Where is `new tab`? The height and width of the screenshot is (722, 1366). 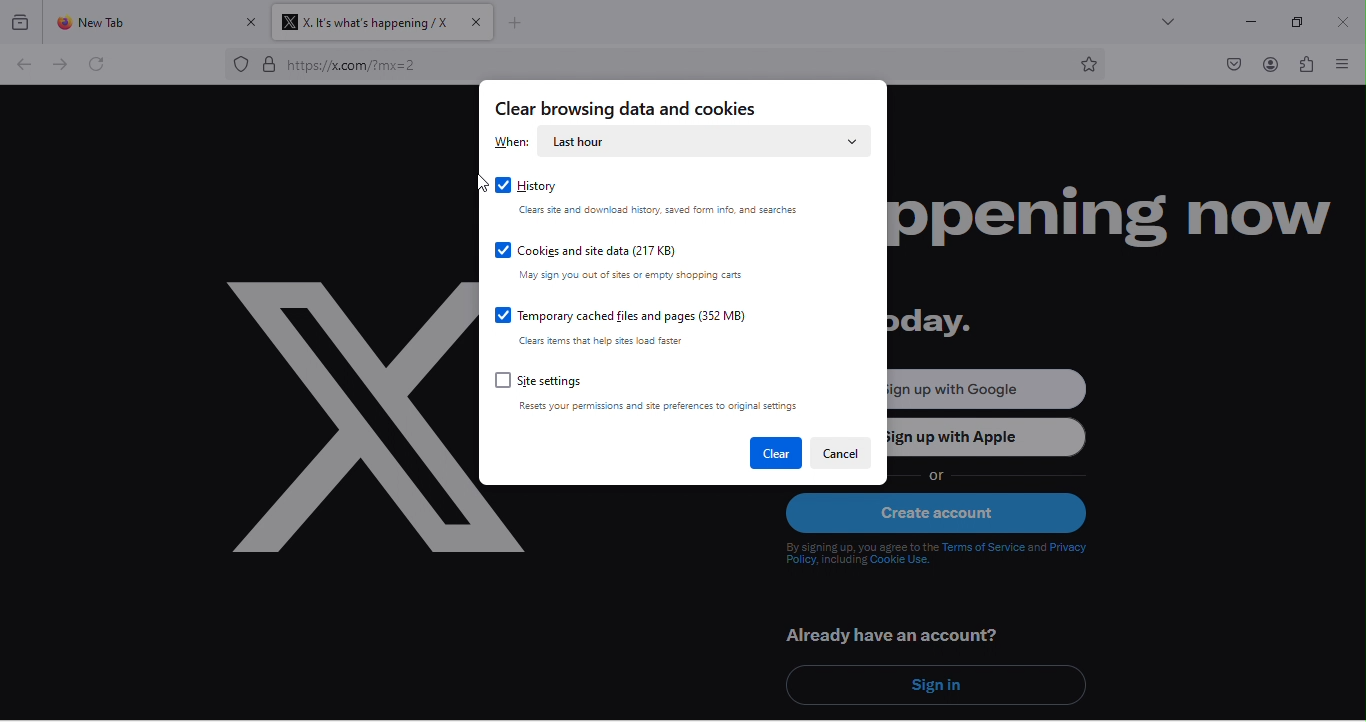
new tab is located at coordinates (153, 22).